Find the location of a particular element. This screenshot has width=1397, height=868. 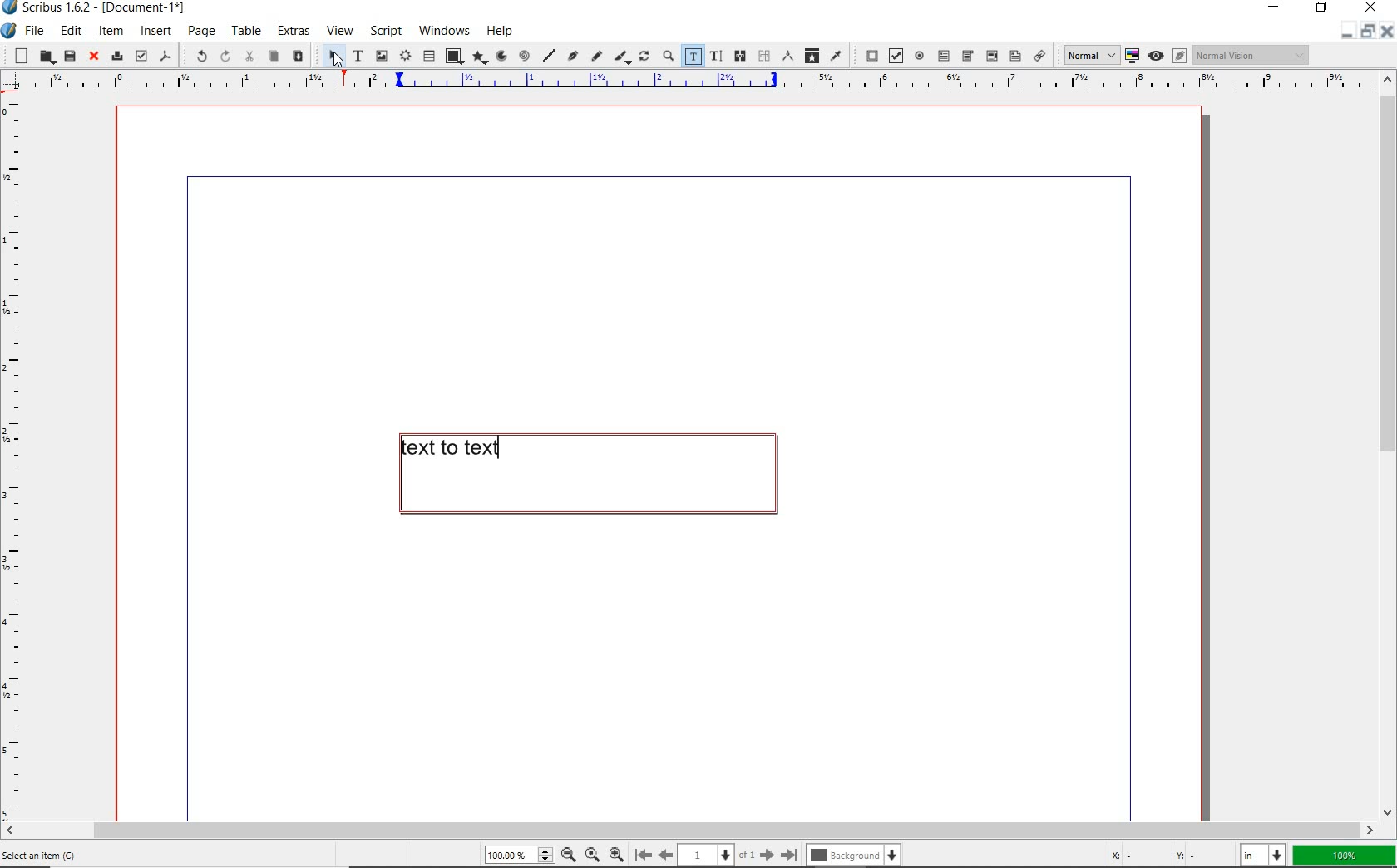

toggle color is located at coordinates (1133, 57).